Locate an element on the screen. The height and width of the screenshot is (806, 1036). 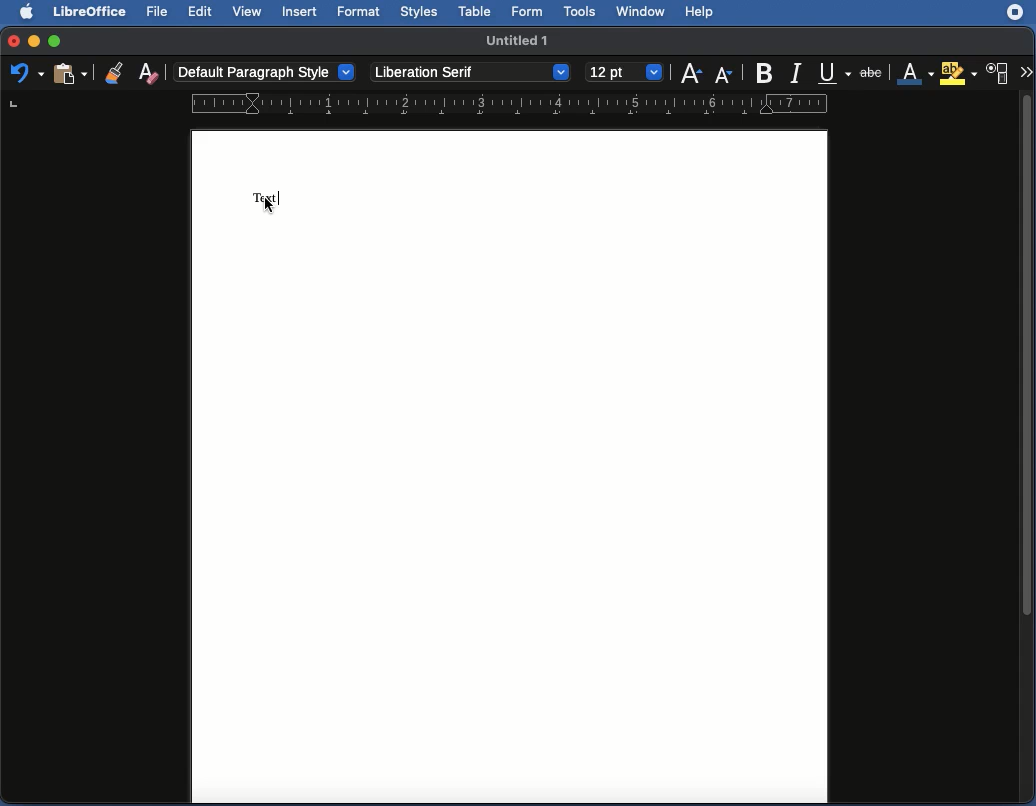
Extension is located at coordinates (1015, 13).